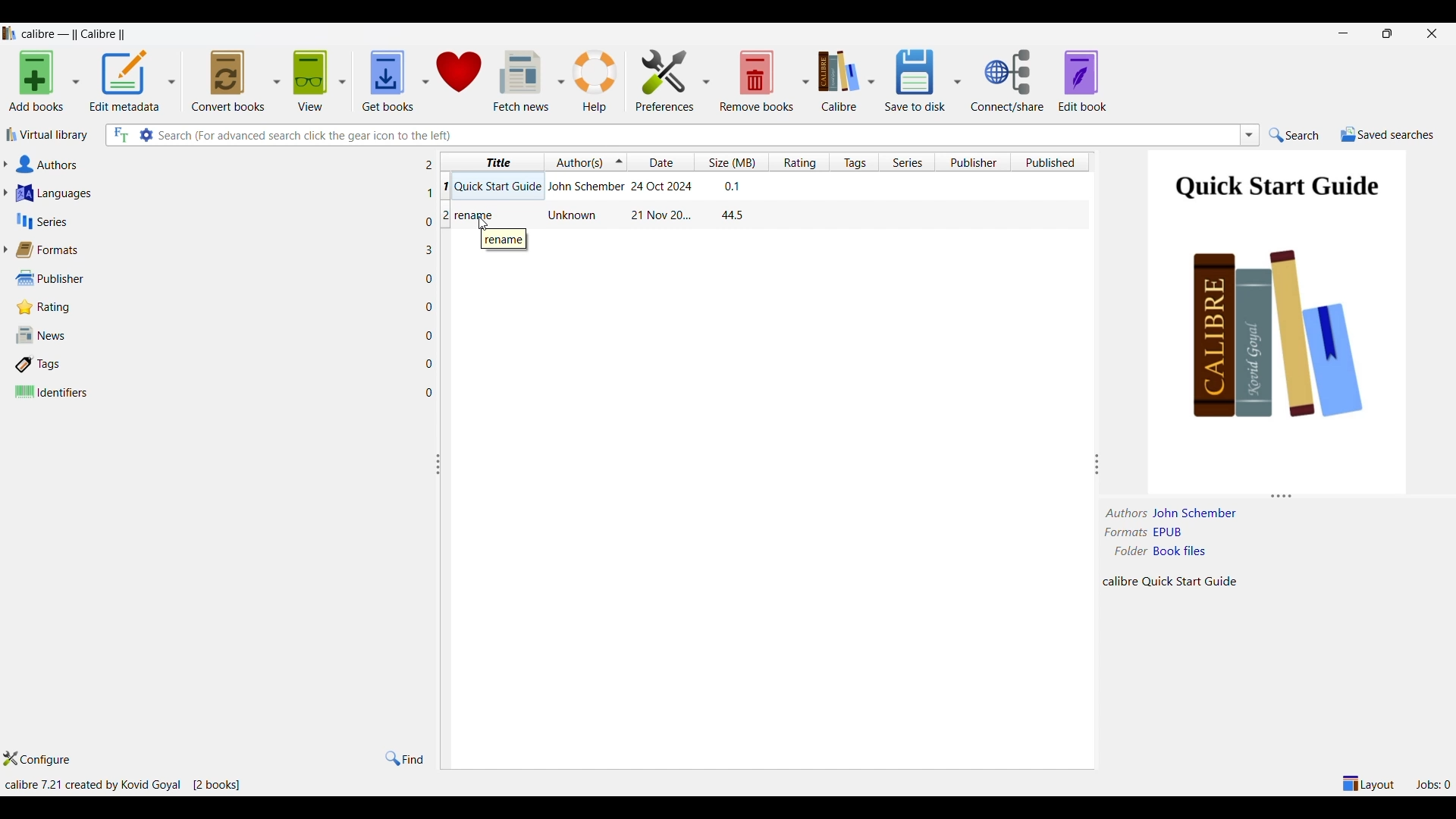 This screenshot has height=819, width=1456. What do you see at coordinates (120, 135) in the screenshot?
I see `Search all files` at bounding box center [120, 135].